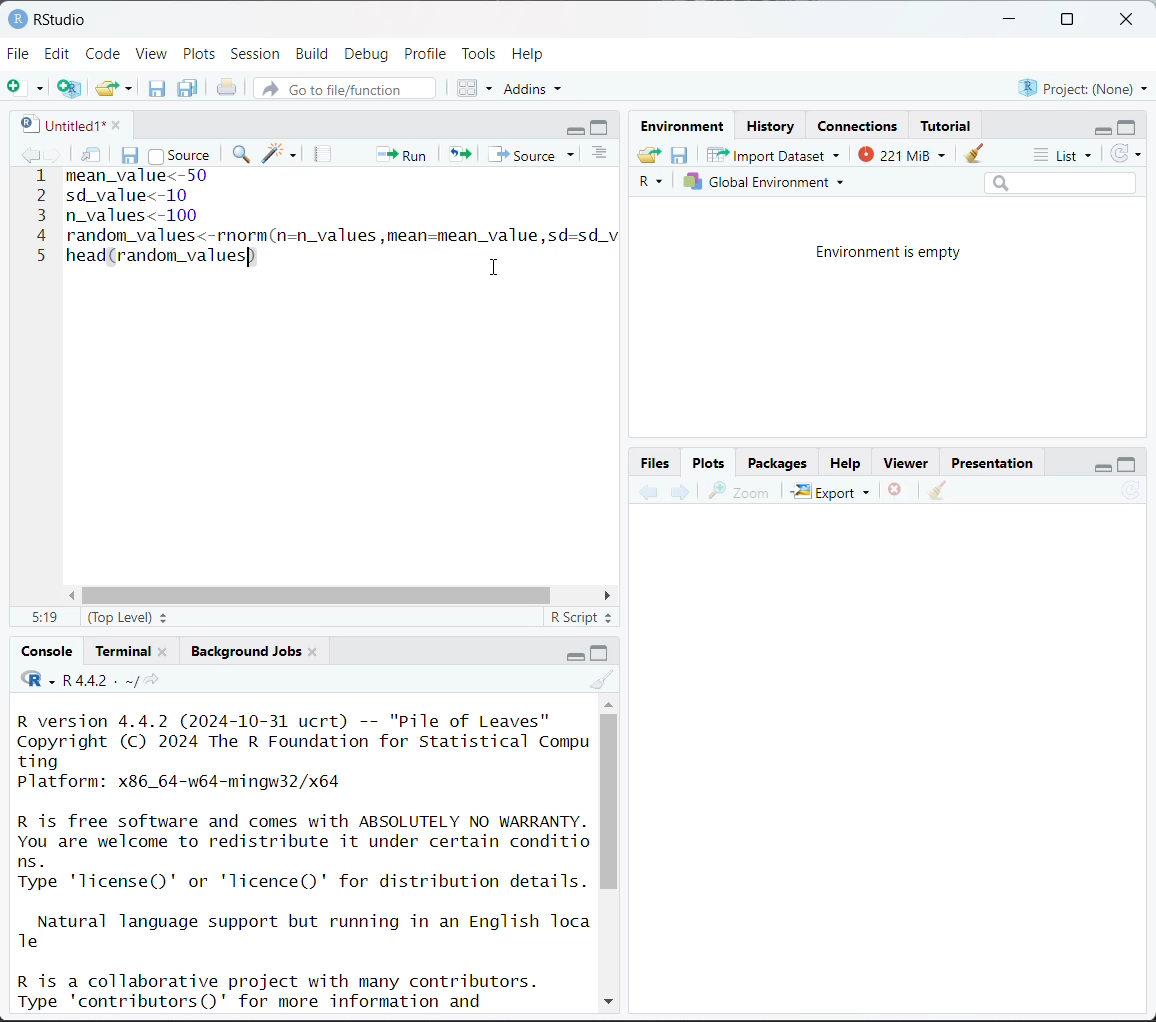 This screenshot has height=1022, width=1156. I want to click on Global environment, so click(765, 182).